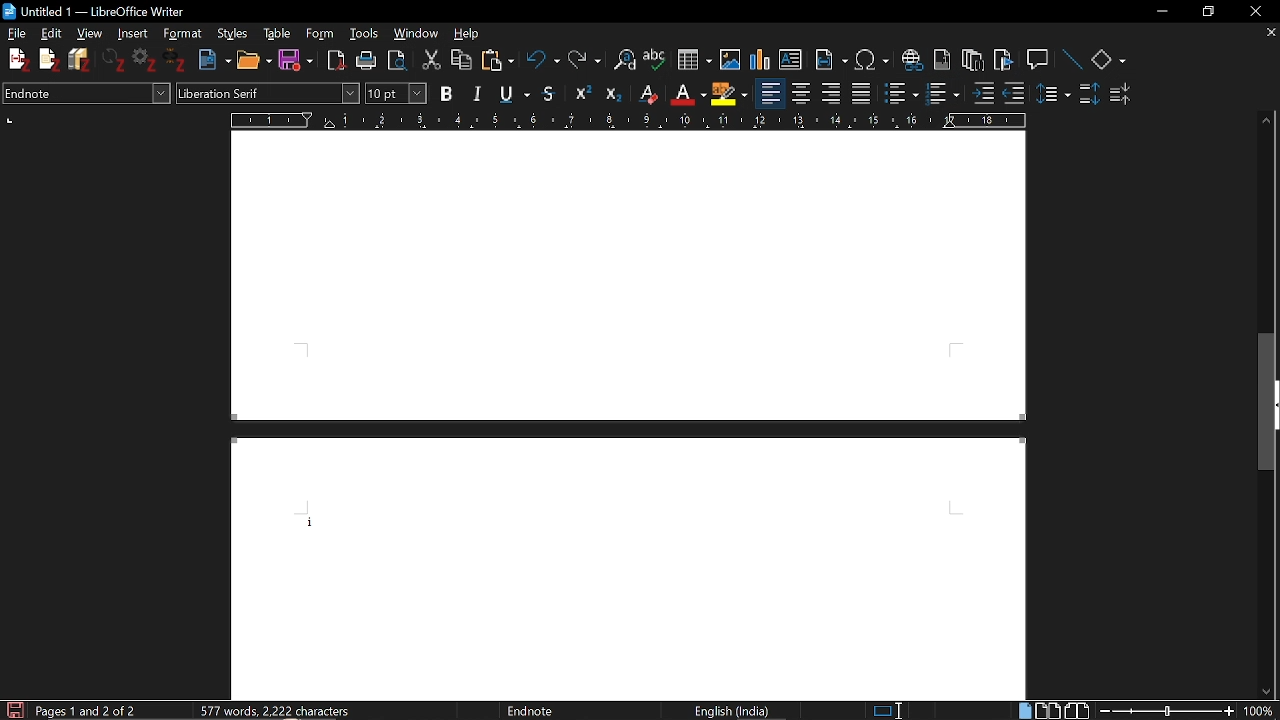 Image resolution: width=1280 pixels, height=720 pixels. Describe the element at coordinates (627, 121) in the screenshot. I see `Scale` at that location.